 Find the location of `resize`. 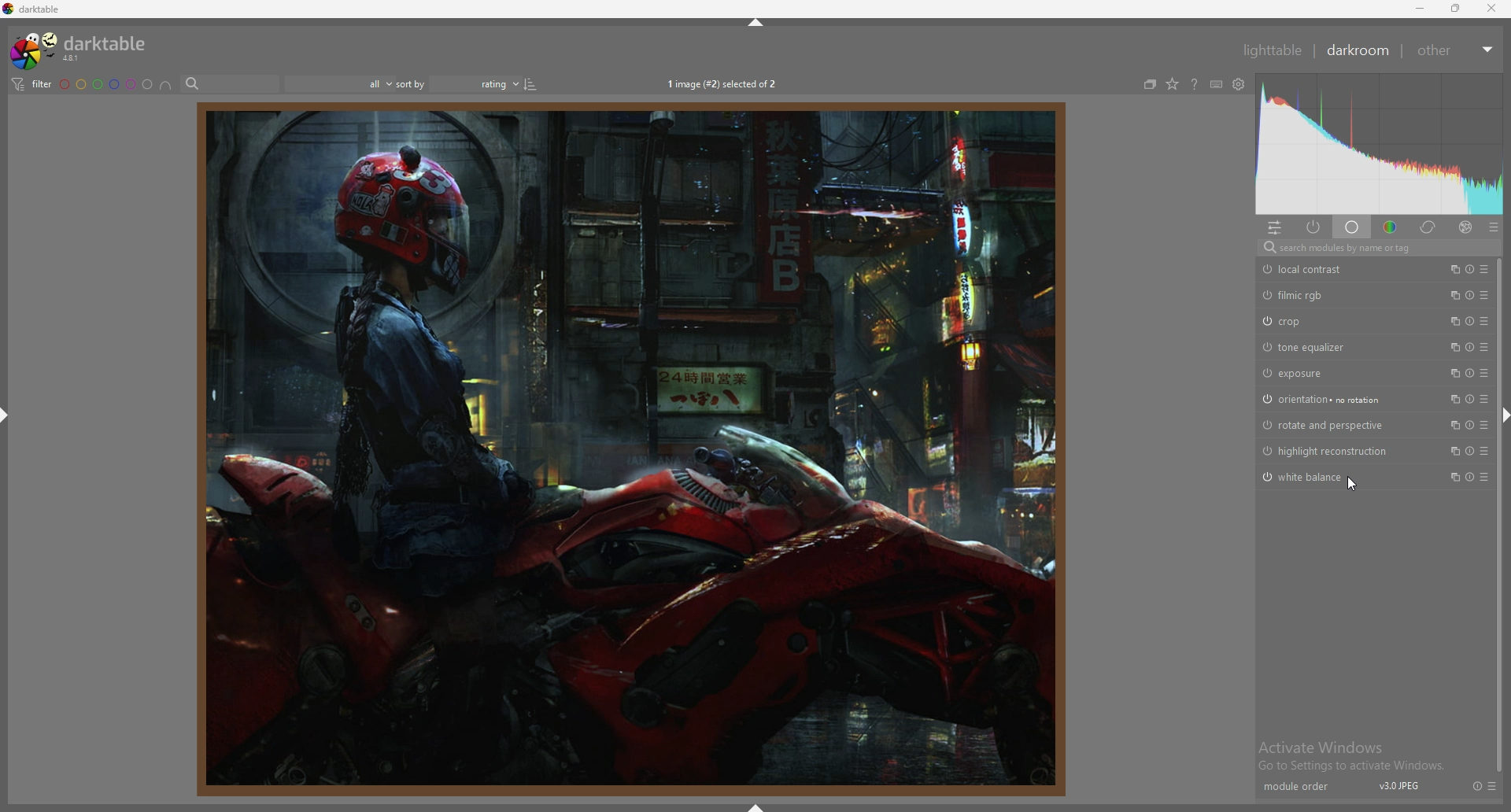

resize is located at coordinates (1454, 9).